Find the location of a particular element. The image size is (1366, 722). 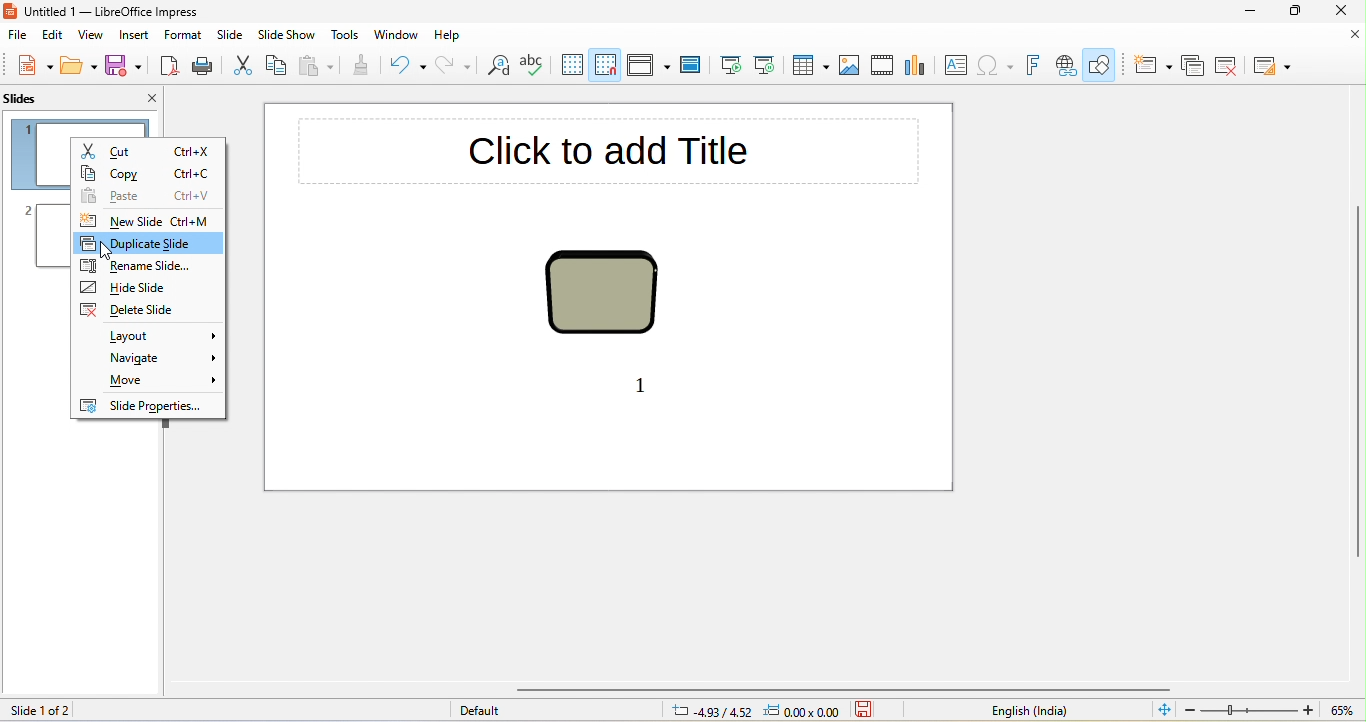

start from first slide is located at coordinates (733, 65).